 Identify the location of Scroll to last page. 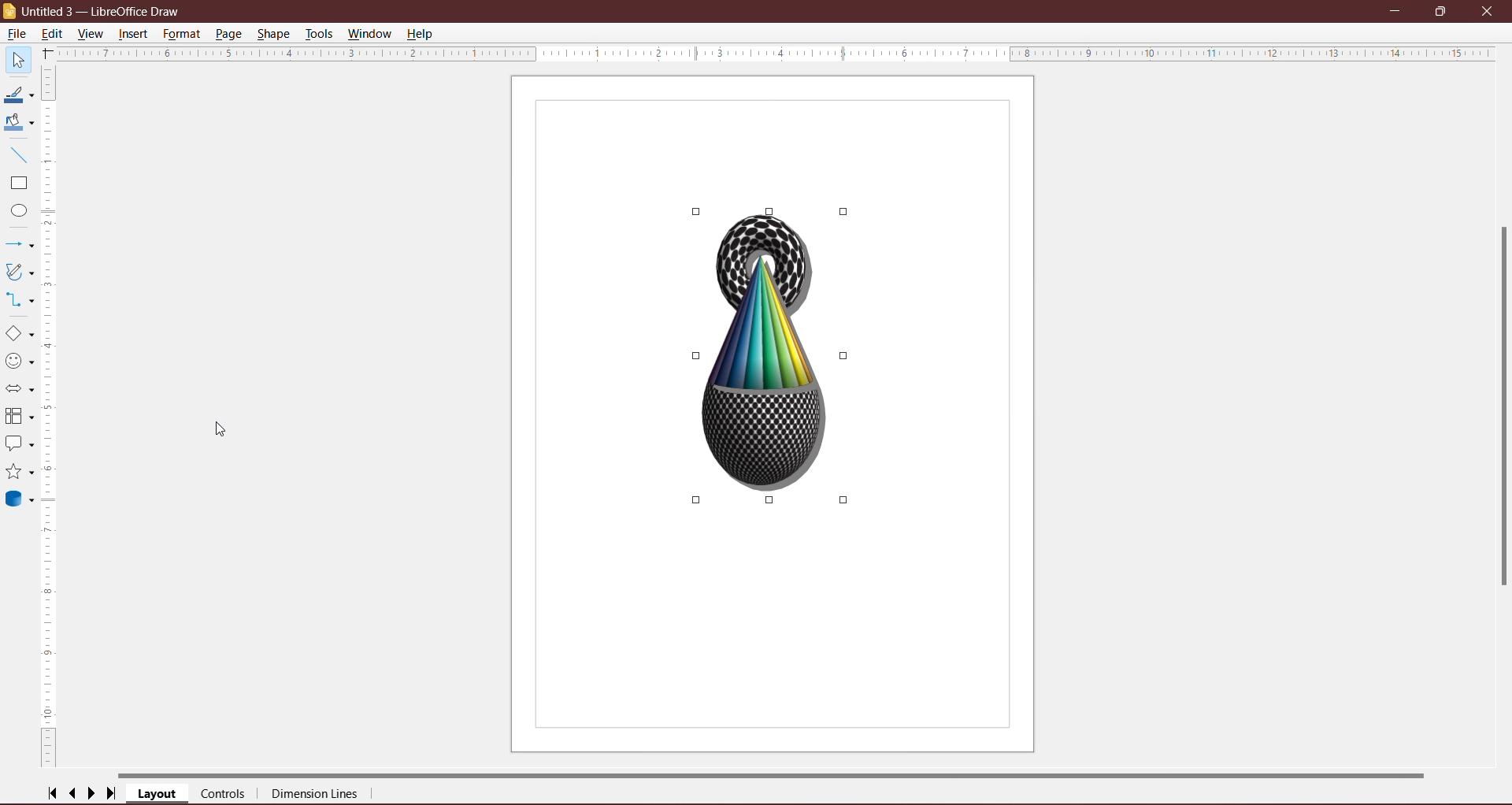
(112, 794).